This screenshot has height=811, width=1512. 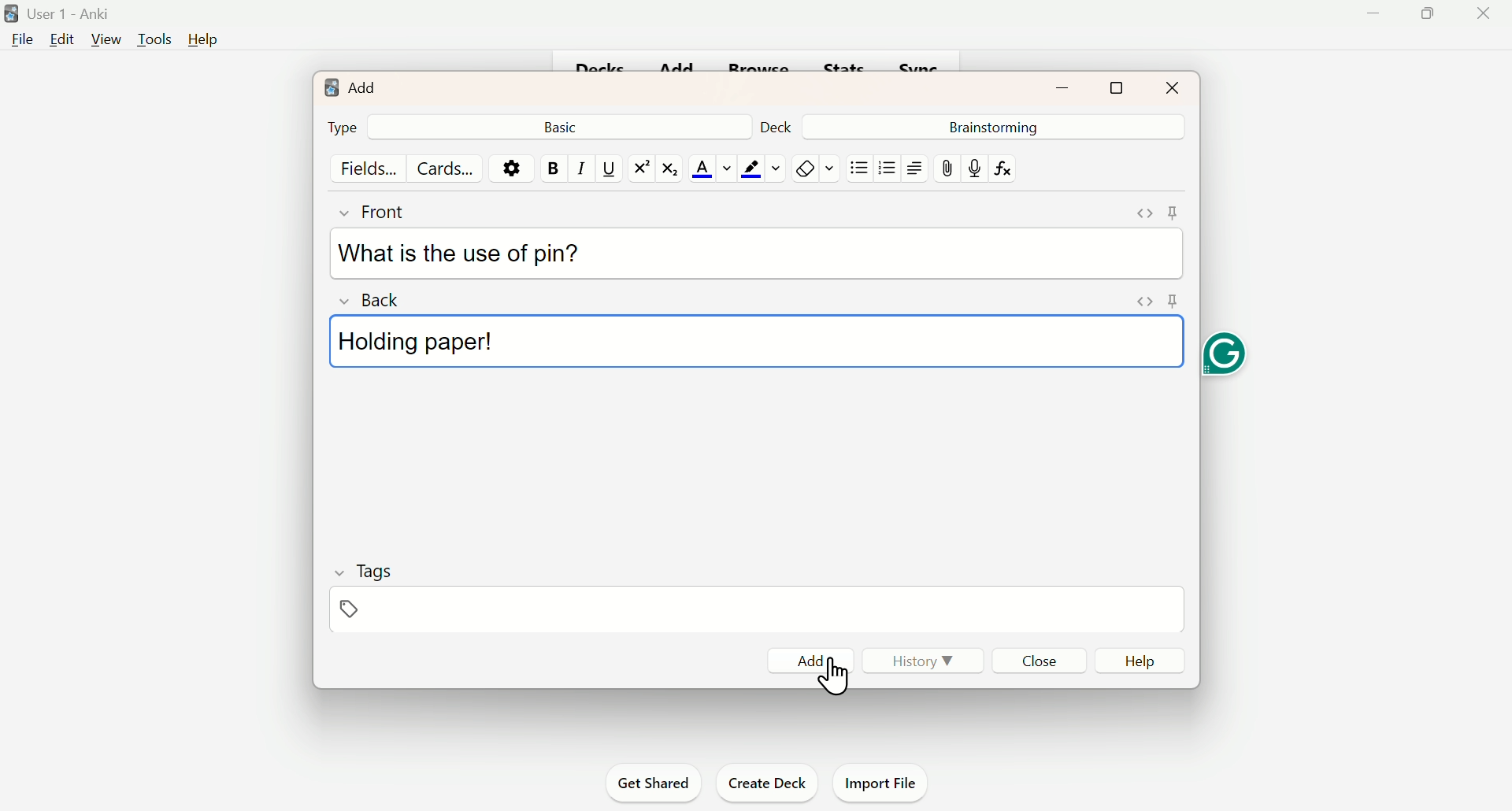 I want to click on Organised List, so click(x=884, y=167).